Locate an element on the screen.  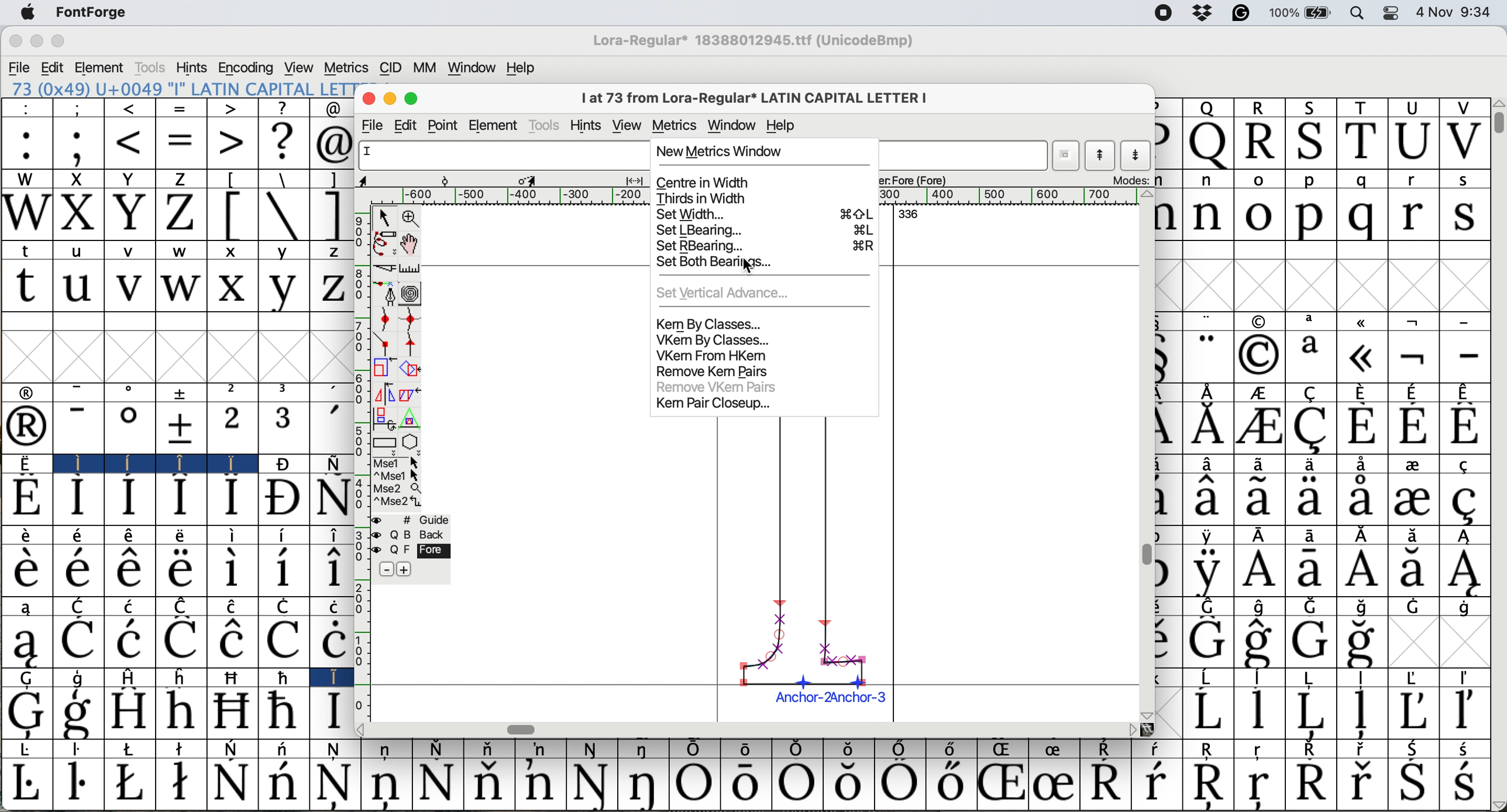
symbol is located at coordinates (1417, 319).